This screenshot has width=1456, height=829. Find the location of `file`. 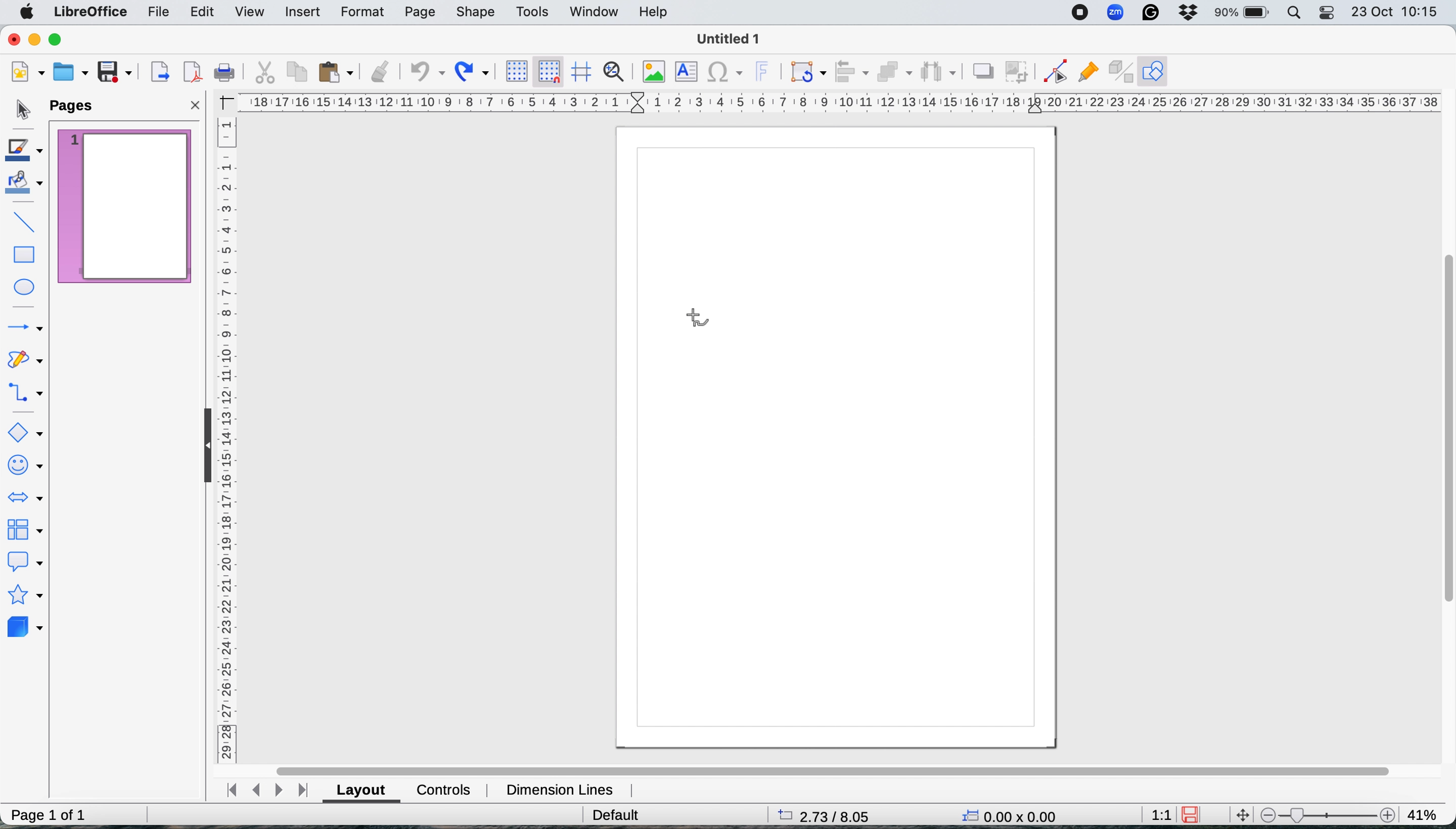

file is located at coordinates (161, 13).